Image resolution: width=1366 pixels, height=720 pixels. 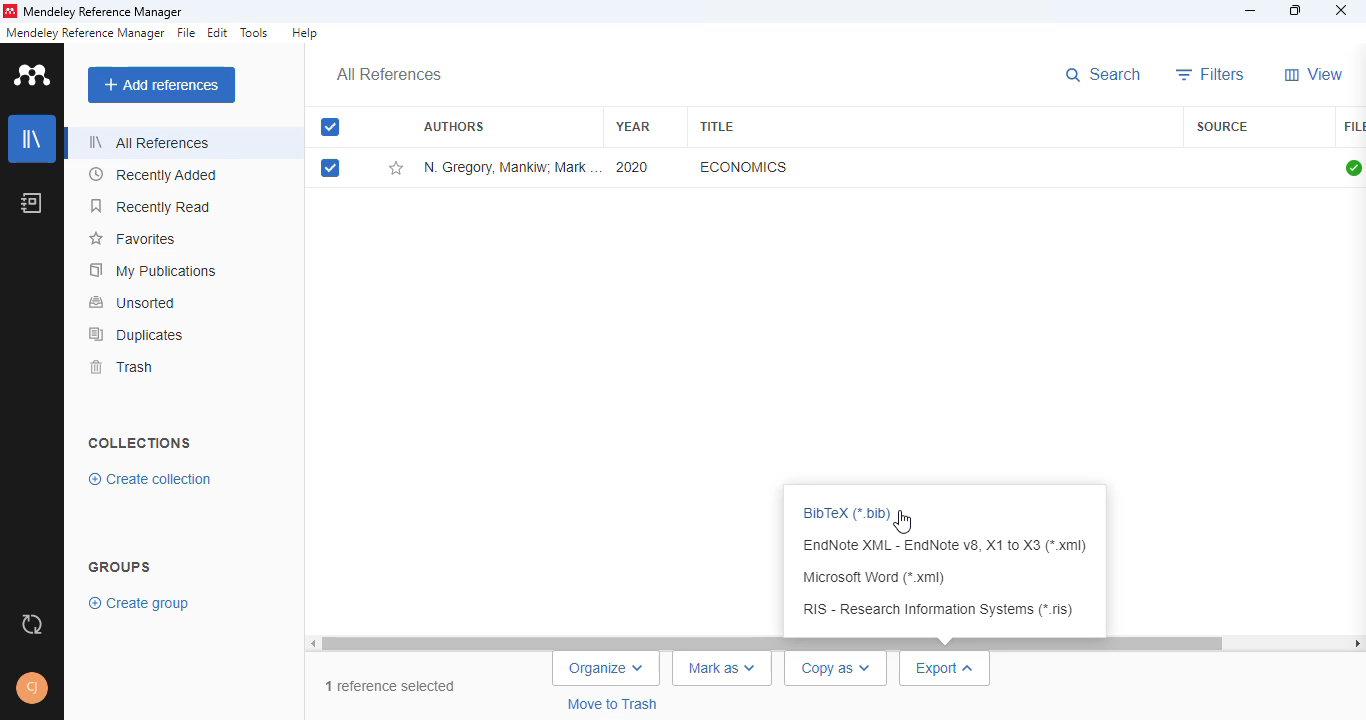 What do you see at coordinates (1353, 168) in the screenshot?
I see `all files downloaded` at bounding box center [1353, 168].